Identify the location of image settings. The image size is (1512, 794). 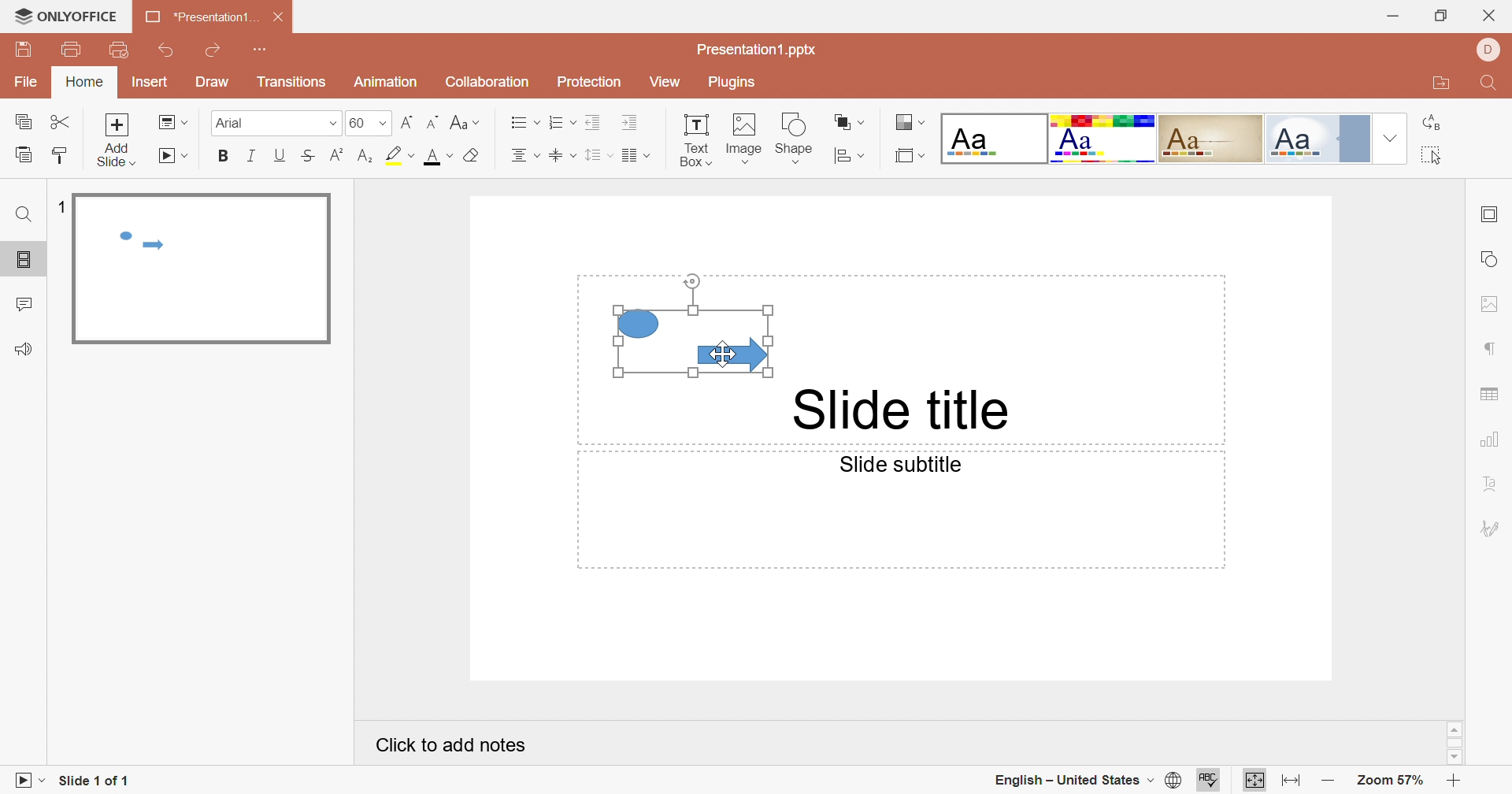
(1490, 302).